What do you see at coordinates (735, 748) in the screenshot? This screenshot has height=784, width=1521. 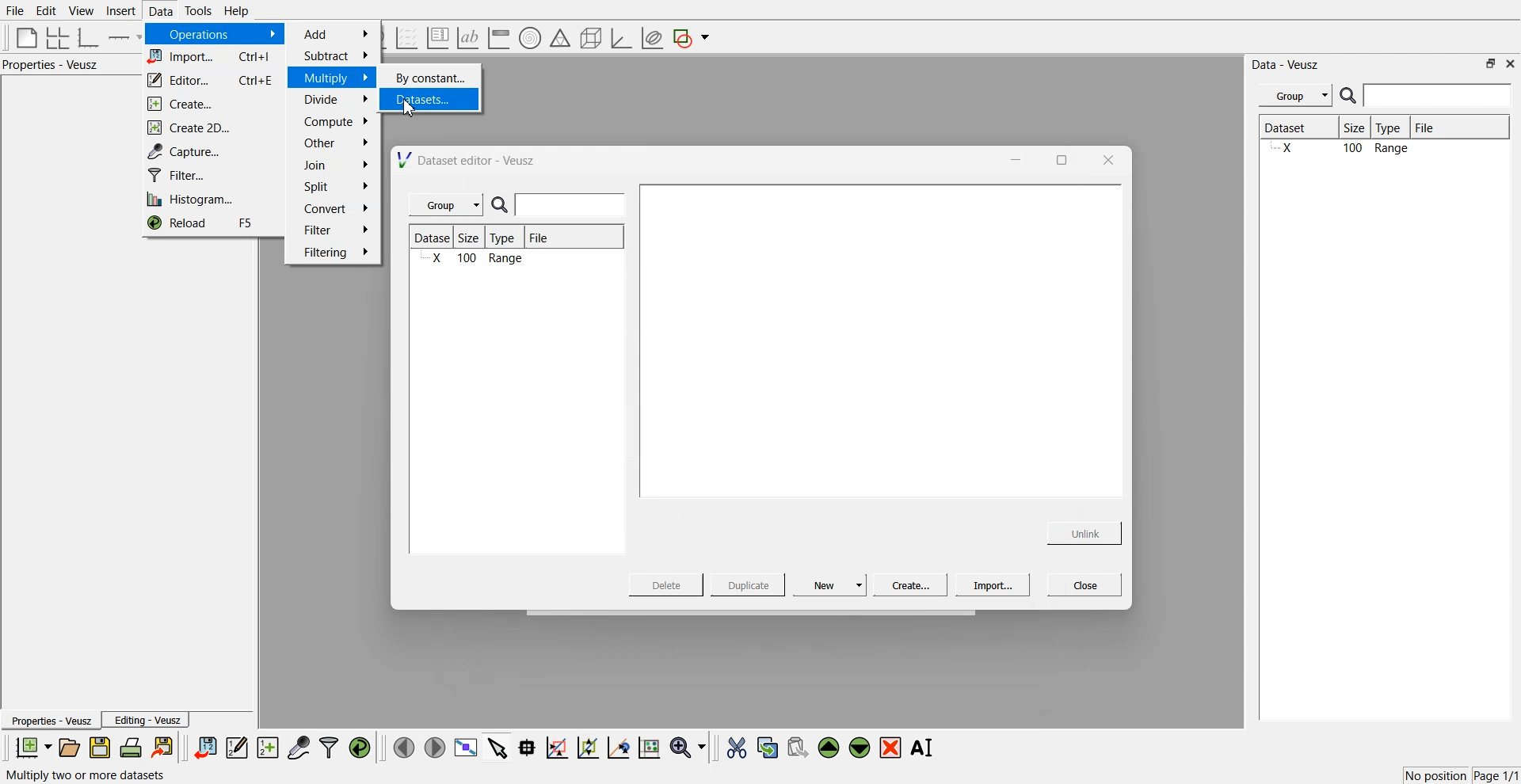 I see `cut the selected widgets` at bounding box center [735, 748].